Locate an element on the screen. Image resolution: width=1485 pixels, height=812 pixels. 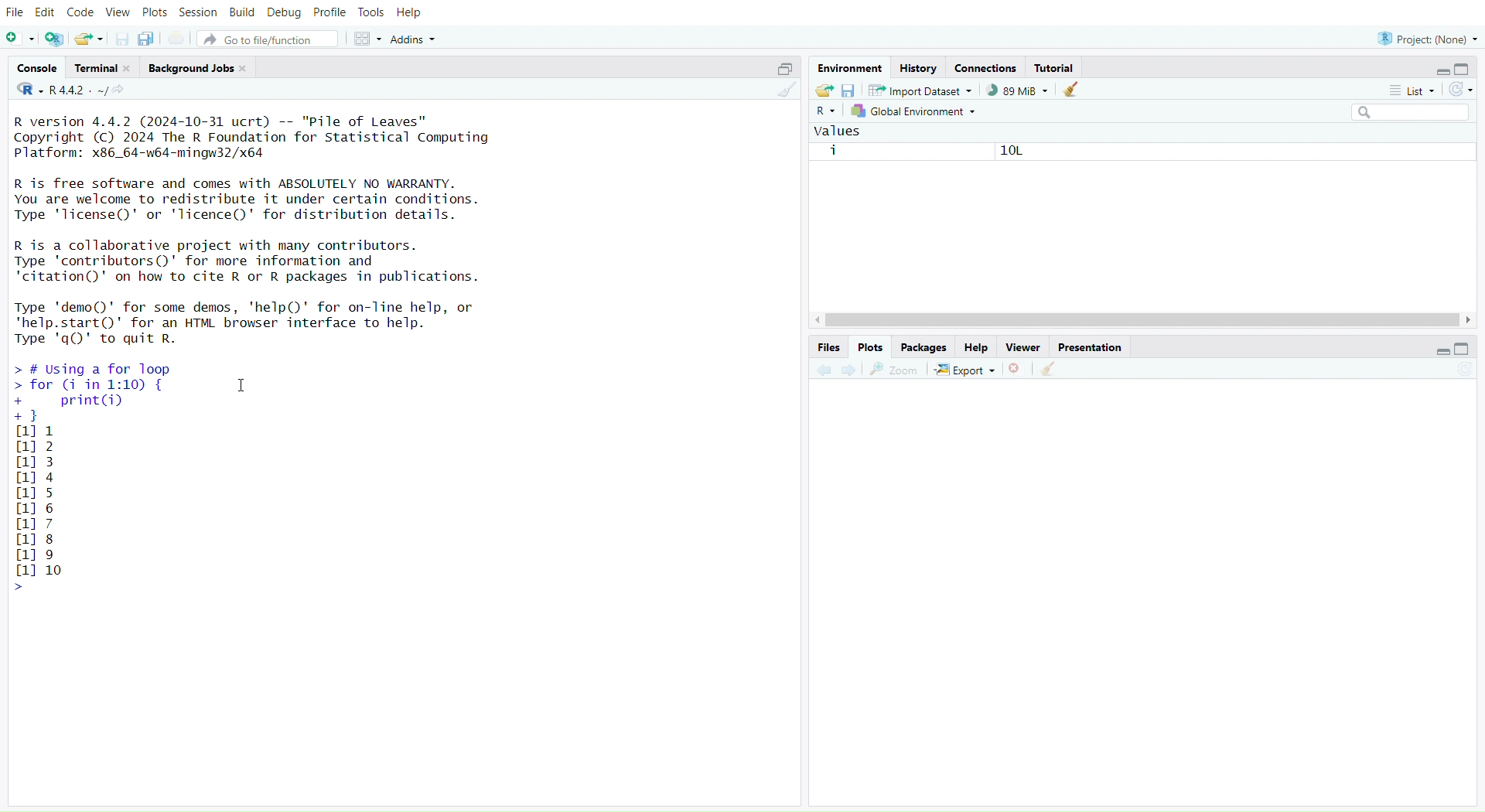
history is located at coordinates (918, 68).